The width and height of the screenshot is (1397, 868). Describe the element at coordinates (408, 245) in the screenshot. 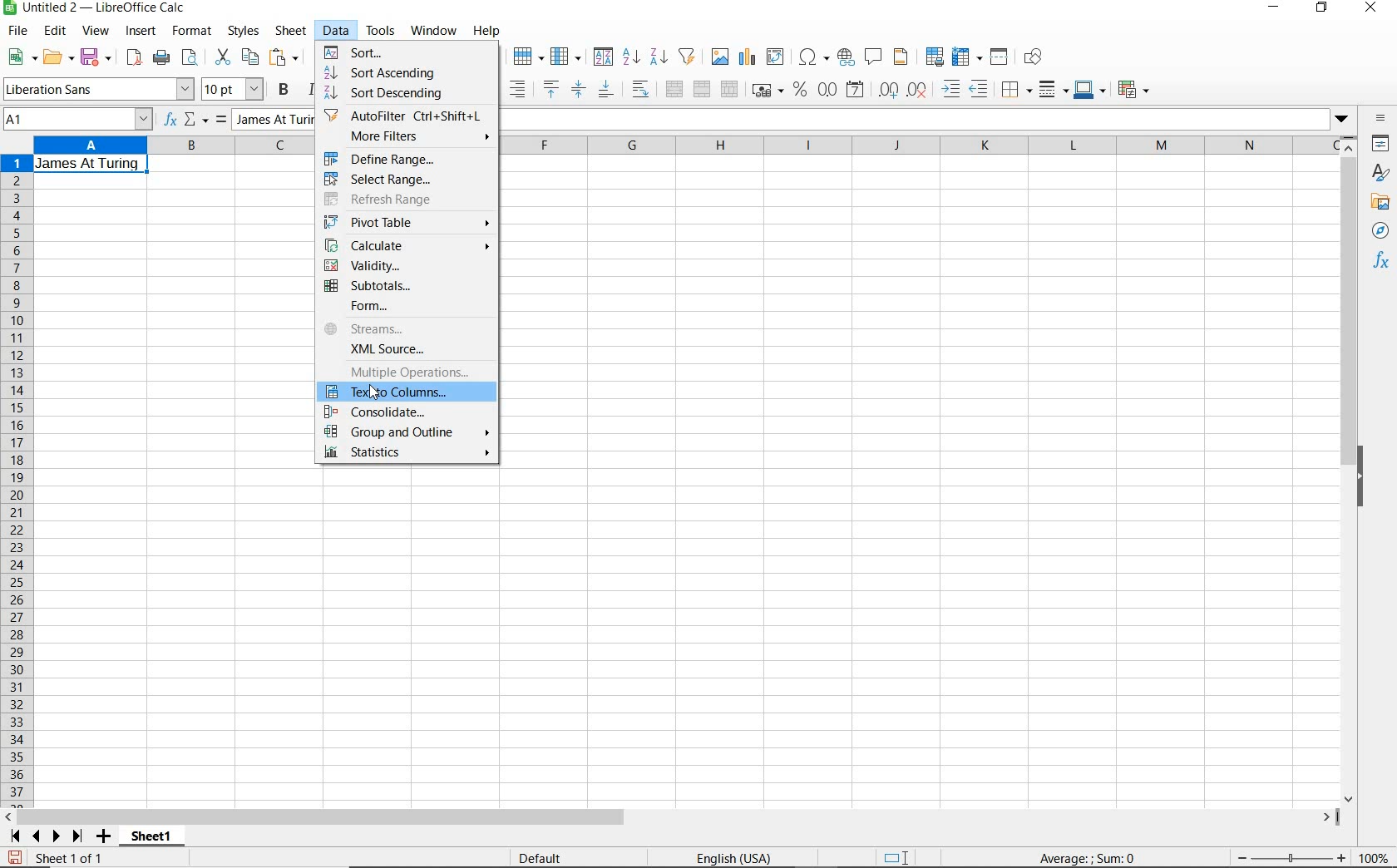

I see `calculate` at that location.